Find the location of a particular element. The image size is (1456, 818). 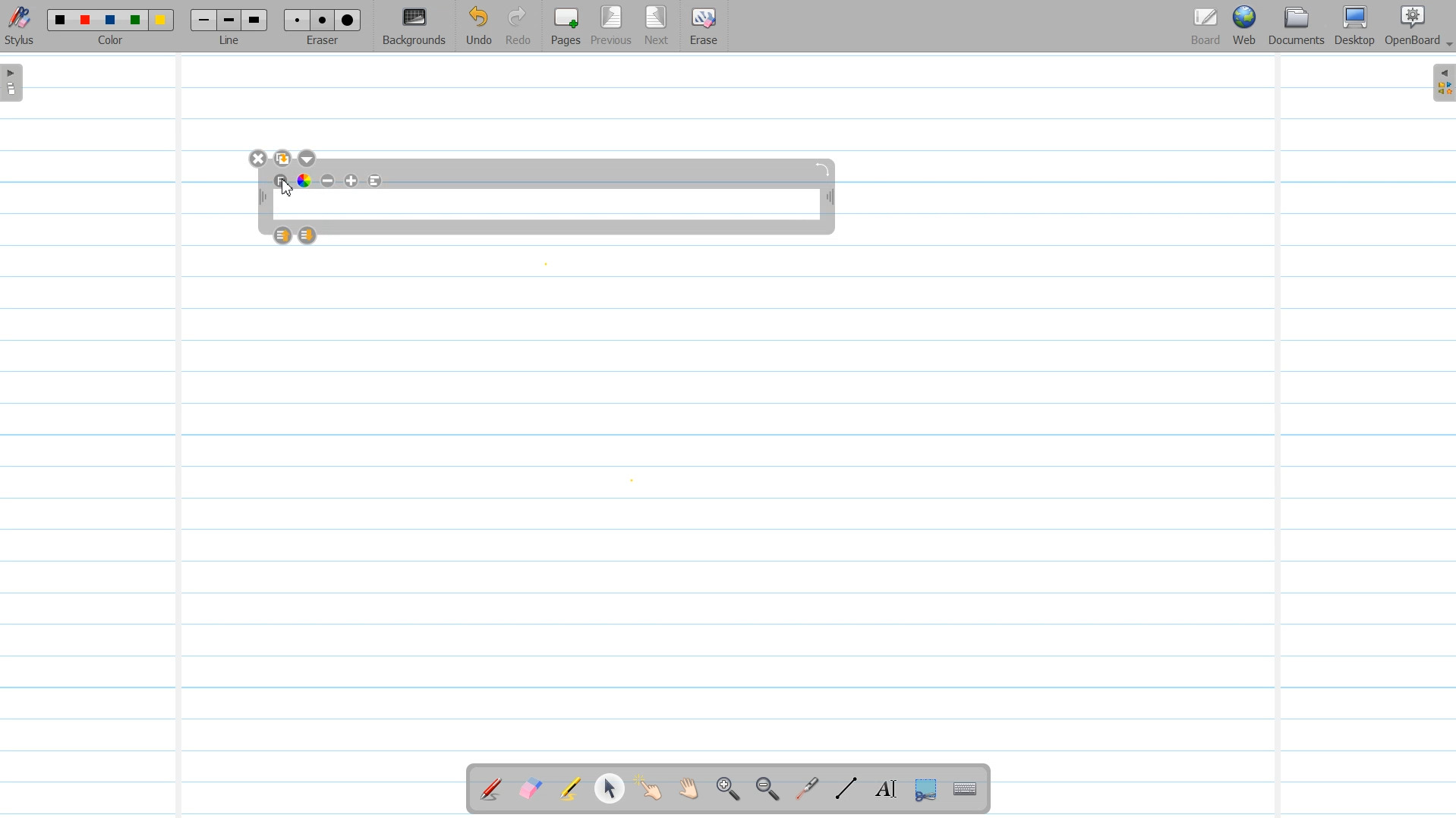

Capture part of the screen is located at coordinates (924, 790).